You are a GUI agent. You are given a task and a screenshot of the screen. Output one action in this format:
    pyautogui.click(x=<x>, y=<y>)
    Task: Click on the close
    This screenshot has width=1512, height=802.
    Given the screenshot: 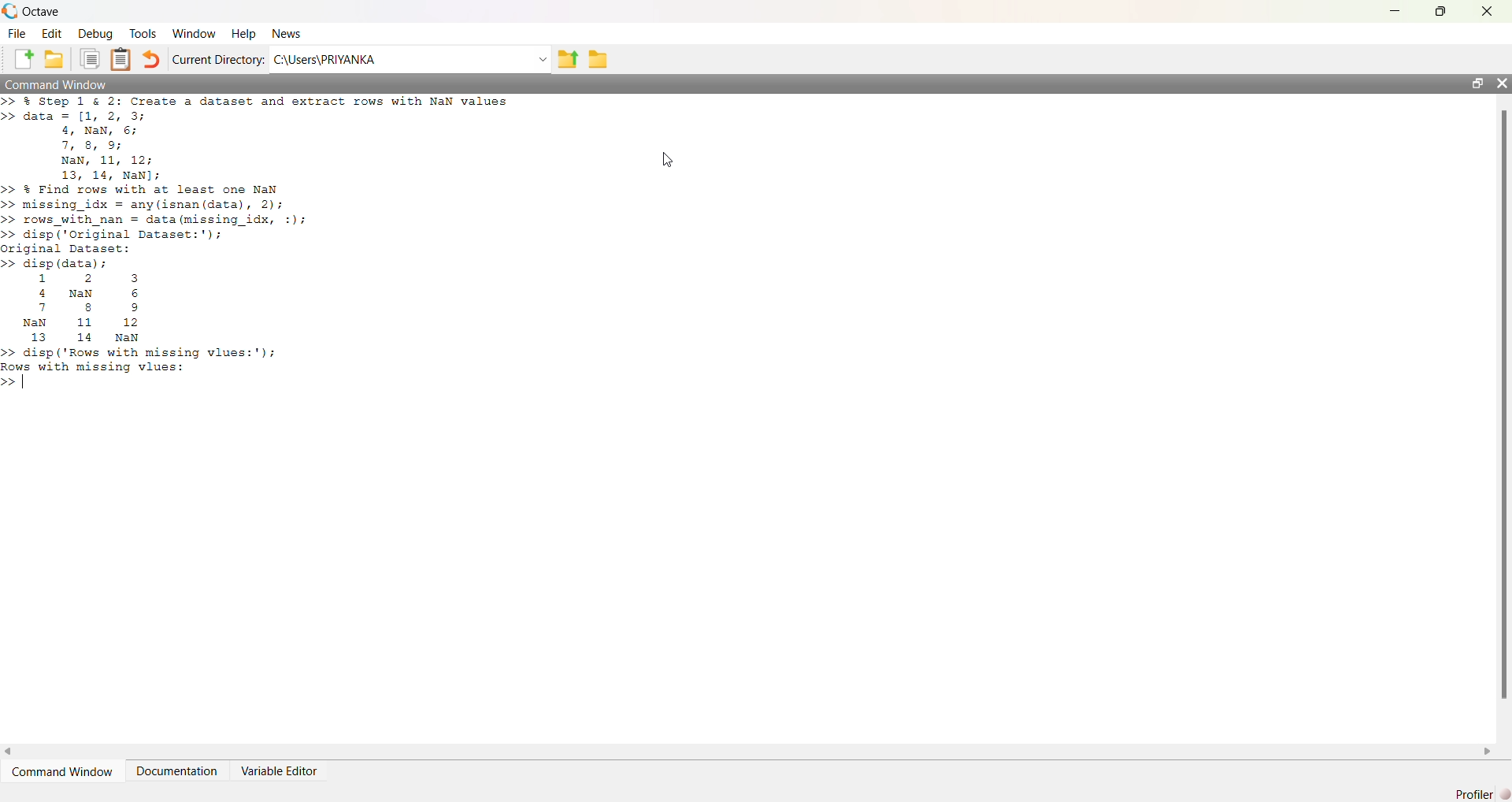 What is the action you would take?
    pyautogui.click(x=1501, y=83)
    